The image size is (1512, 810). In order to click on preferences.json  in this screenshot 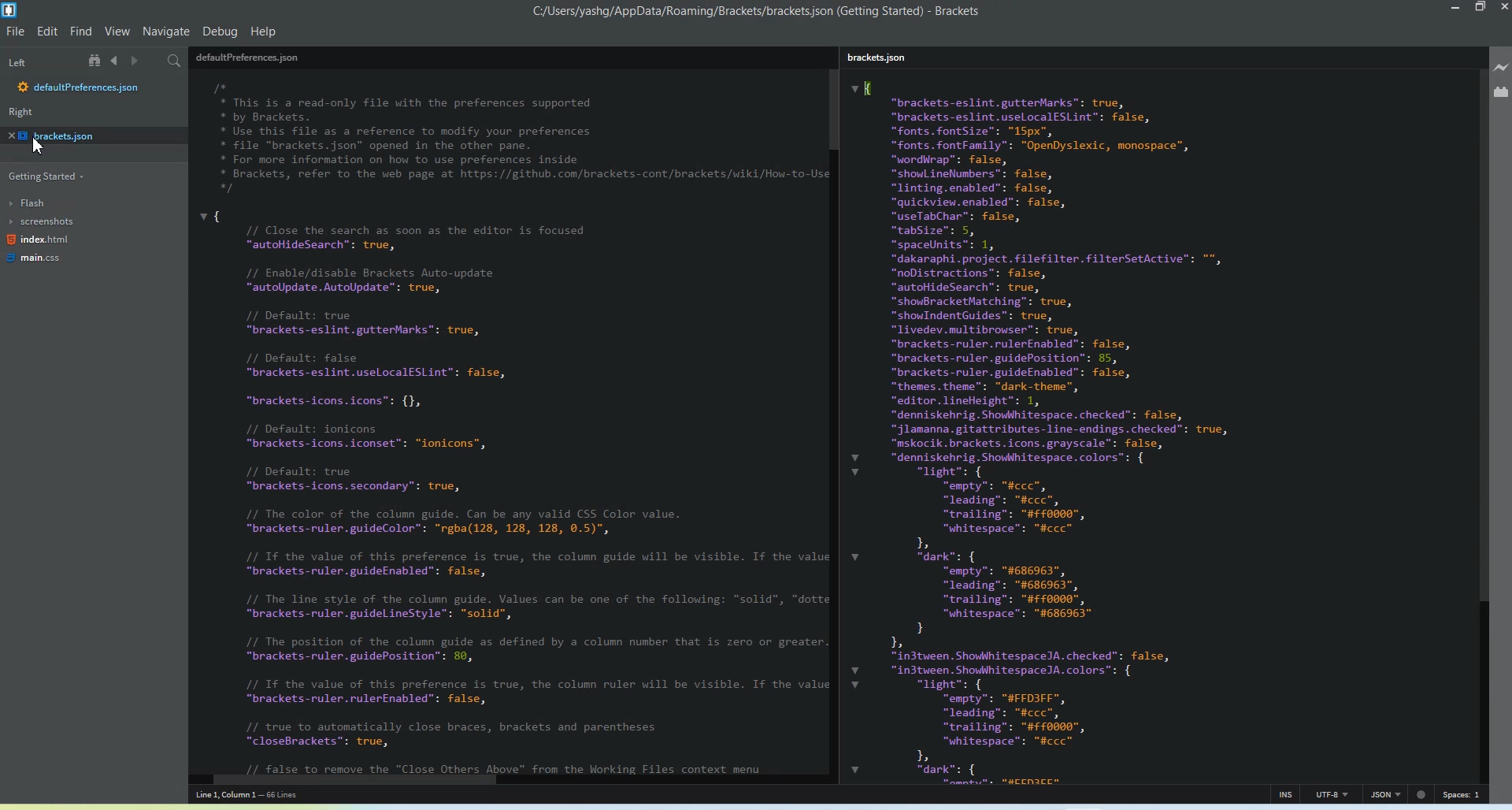, I will do `click(249, 56)`.